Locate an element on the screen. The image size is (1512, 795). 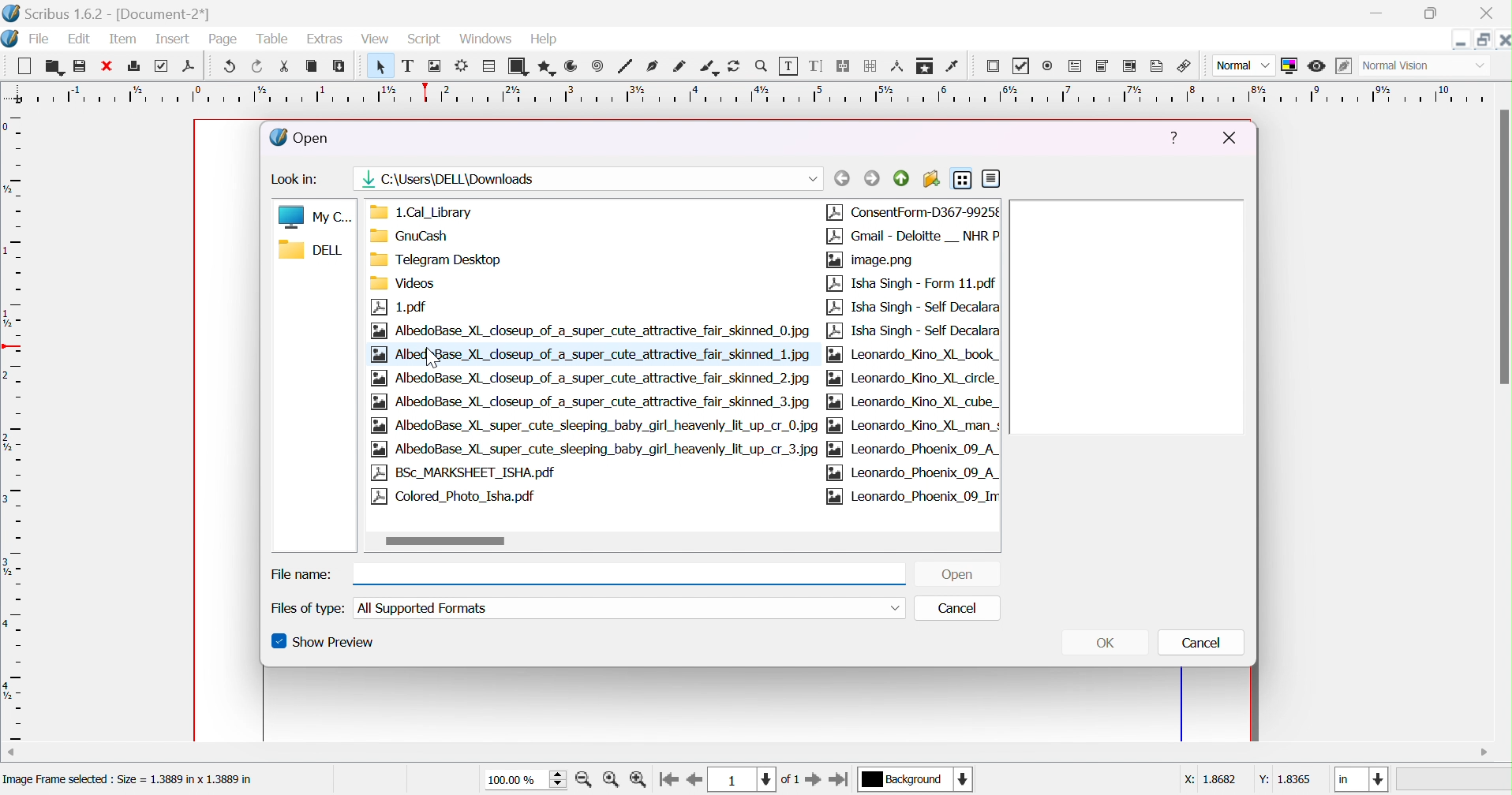
 AlbedoBase_XL_super_cute_sleeping_baby_girl_heavenly_lit_up_cr_3.jpg is located at coordinates (582, 449).